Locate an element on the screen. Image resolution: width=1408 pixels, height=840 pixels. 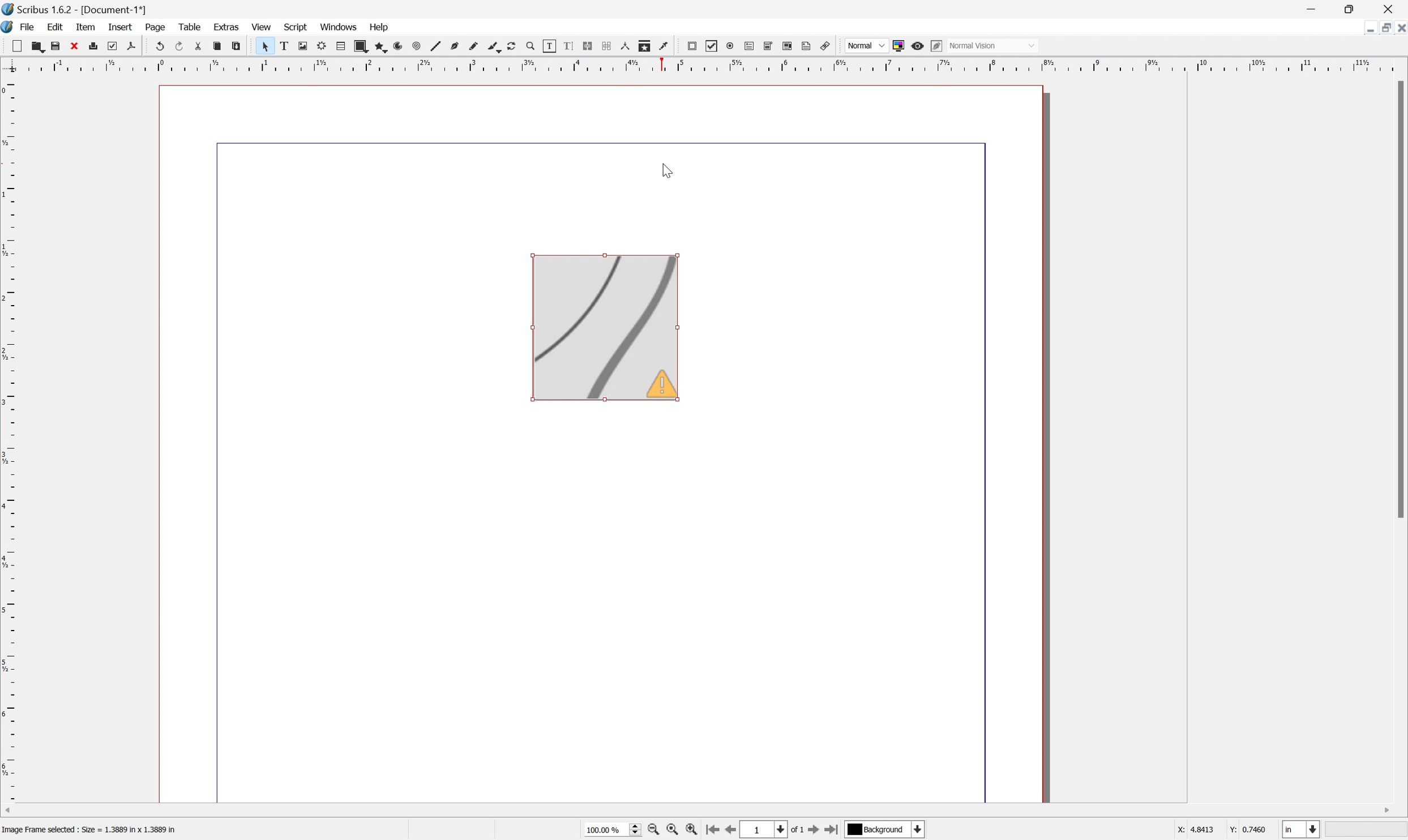
PDF combo box is located at coordinates (772, 46).